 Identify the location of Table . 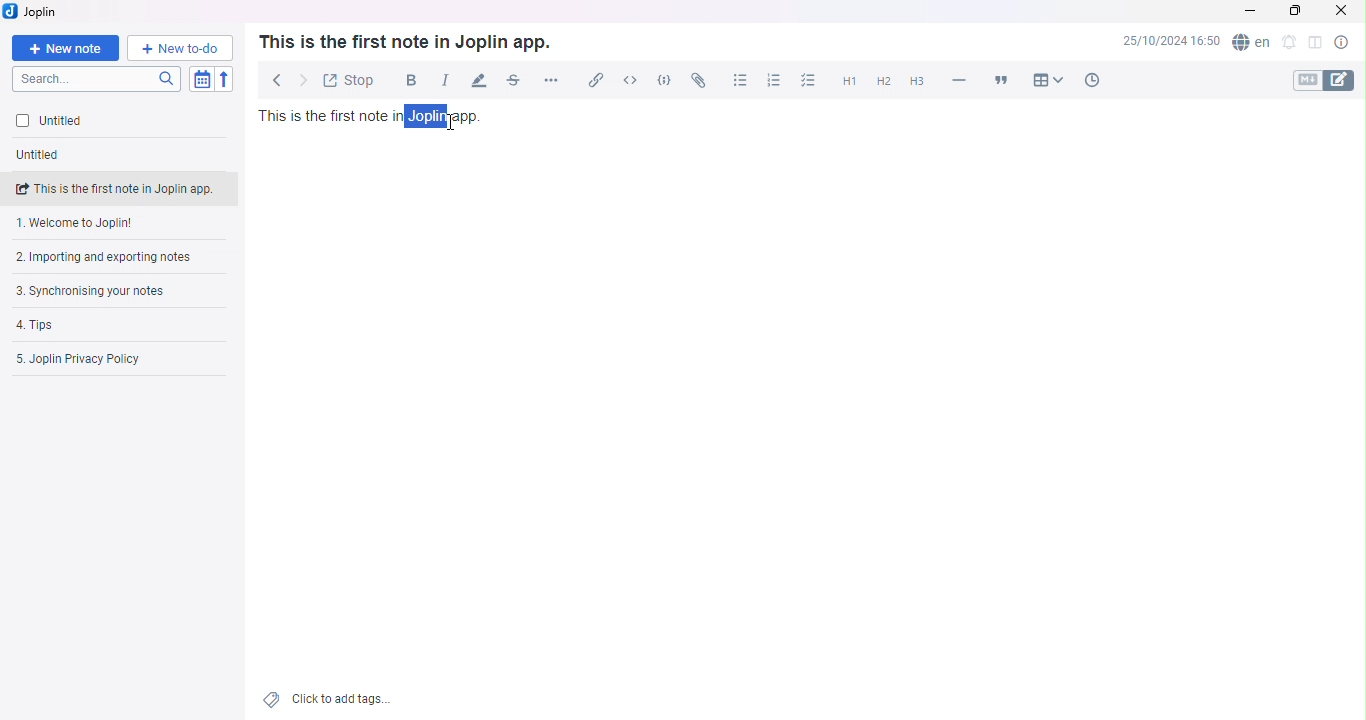
(1048, 78).